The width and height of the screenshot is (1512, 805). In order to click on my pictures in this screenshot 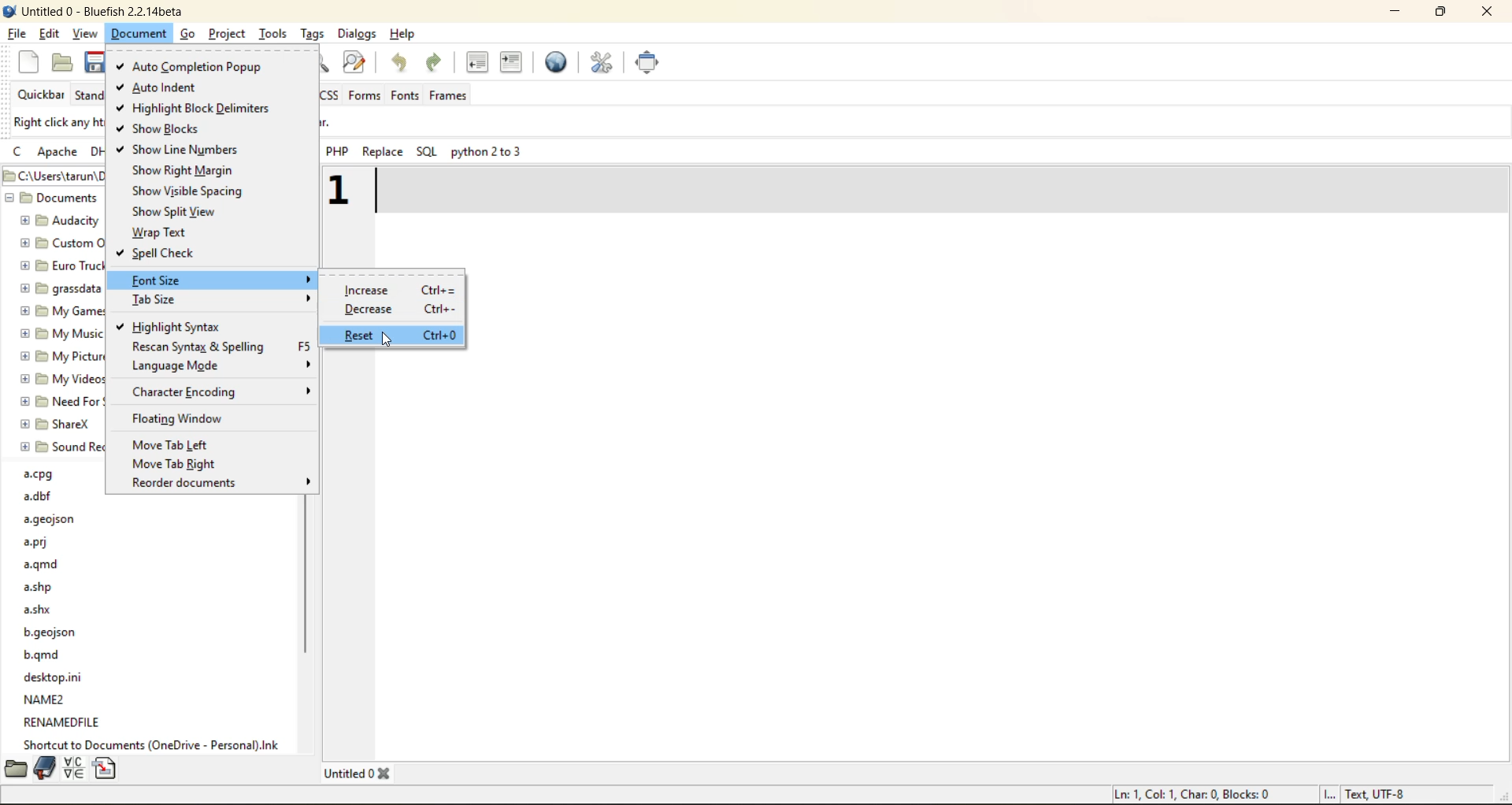, I will do `click(70, 358)`.